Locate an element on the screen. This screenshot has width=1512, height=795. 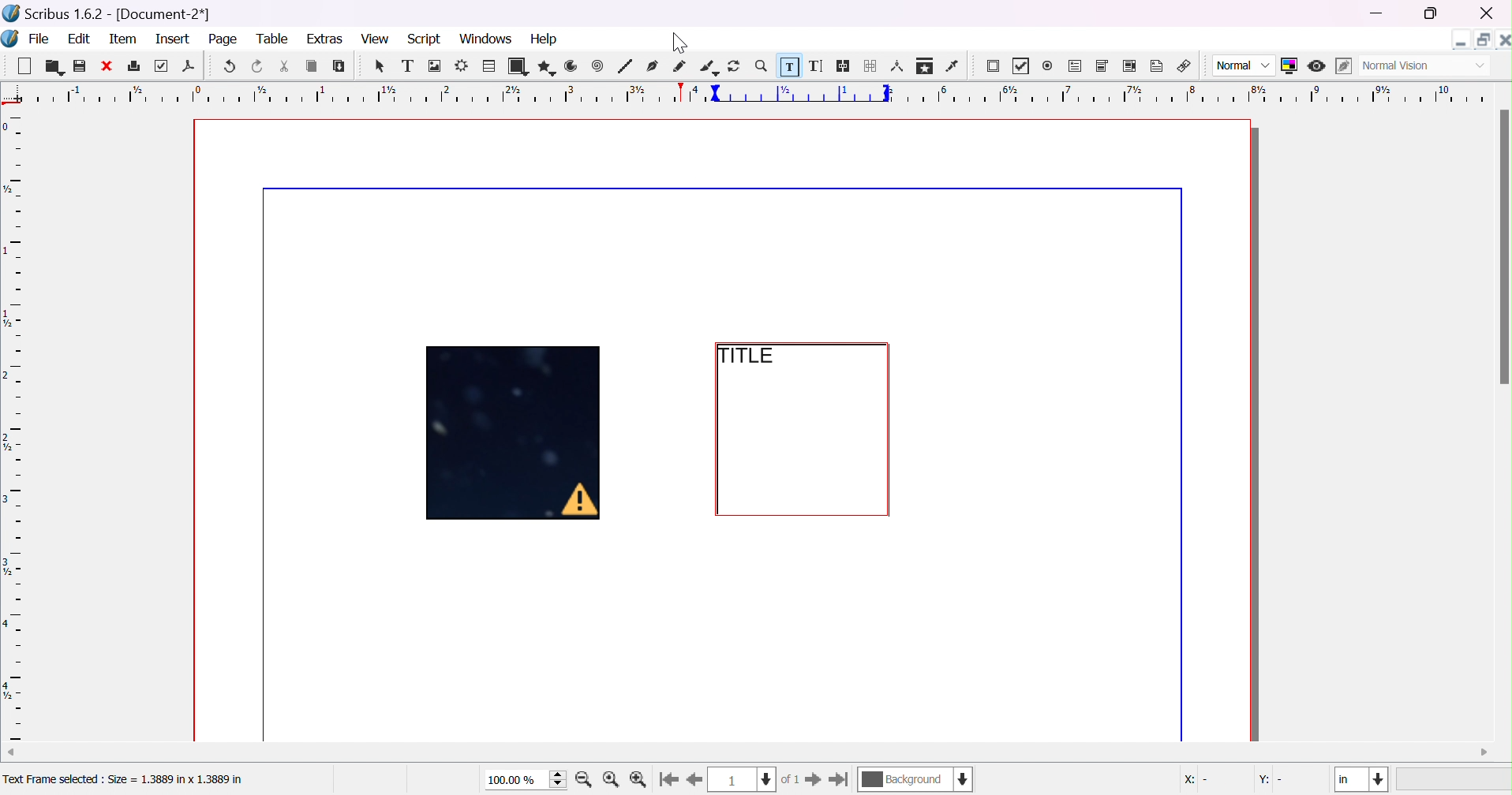
restore down is located at coordinates (1480, 36).